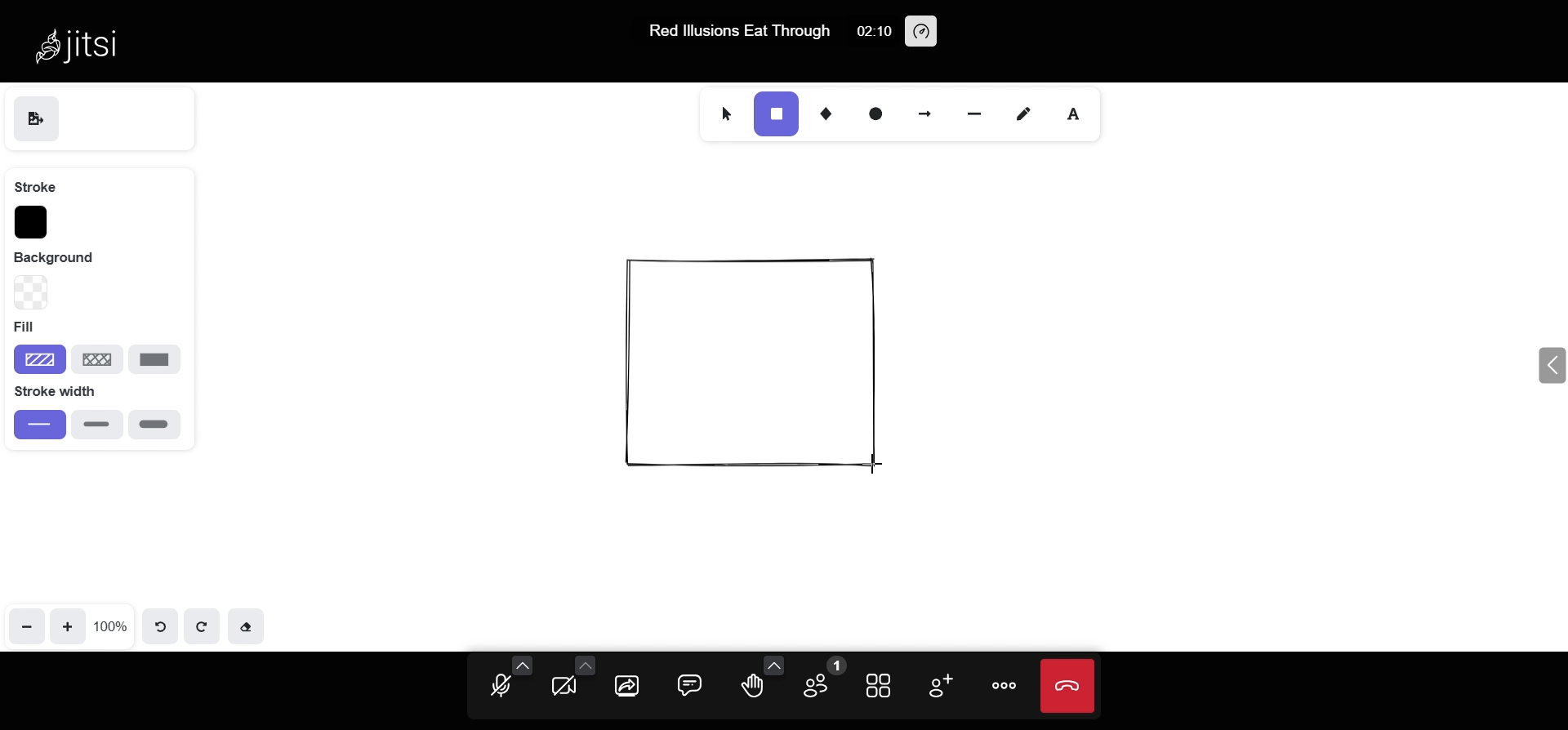  Describe the element at coordinates (775, 664) in the screenshot. I see `more emoji` at that location.